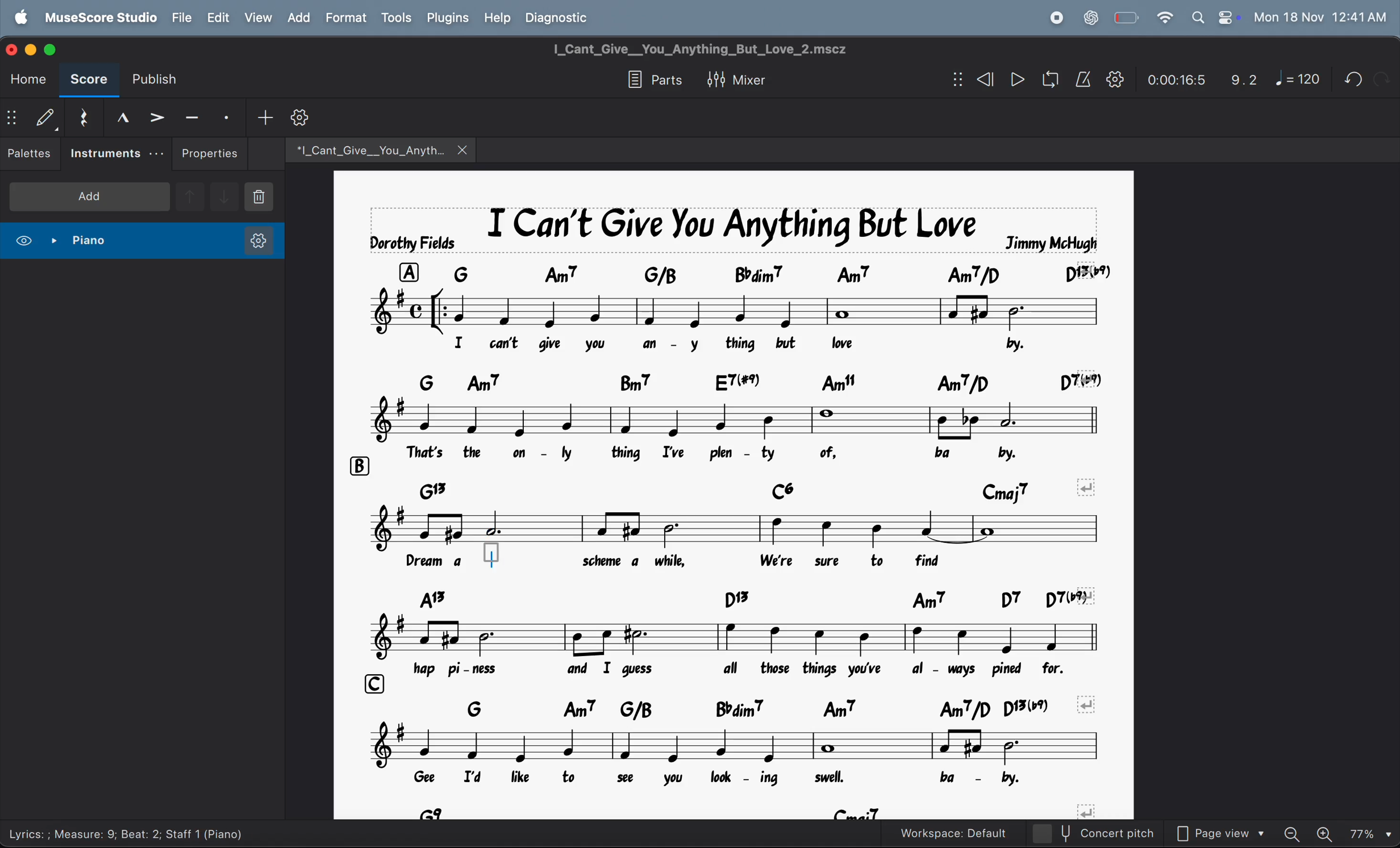 This screenshot has height=848, width=1400. Describe the element at coordinates (697, 47) in the screenshot. I see `page title` at that location.